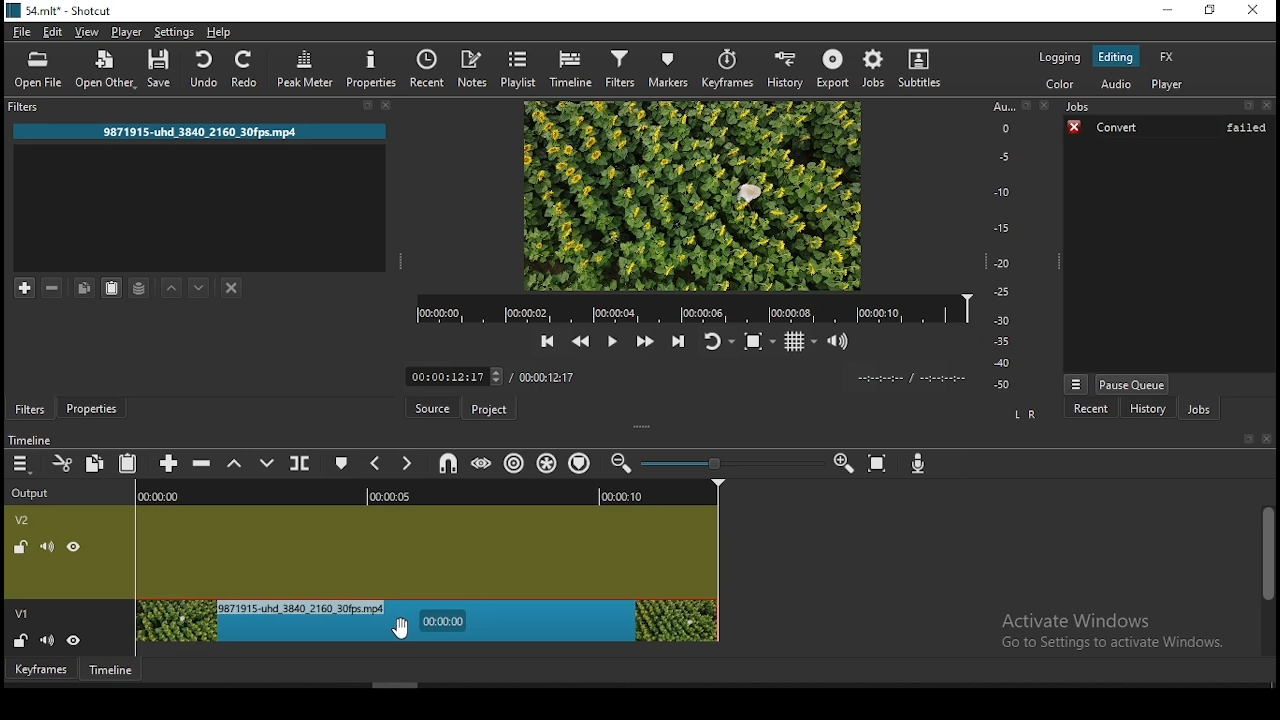 This screenshot has height=720, width=1280. Describe the element at coordinates (450, 463) in the screenshot. I see `snap` at that location.